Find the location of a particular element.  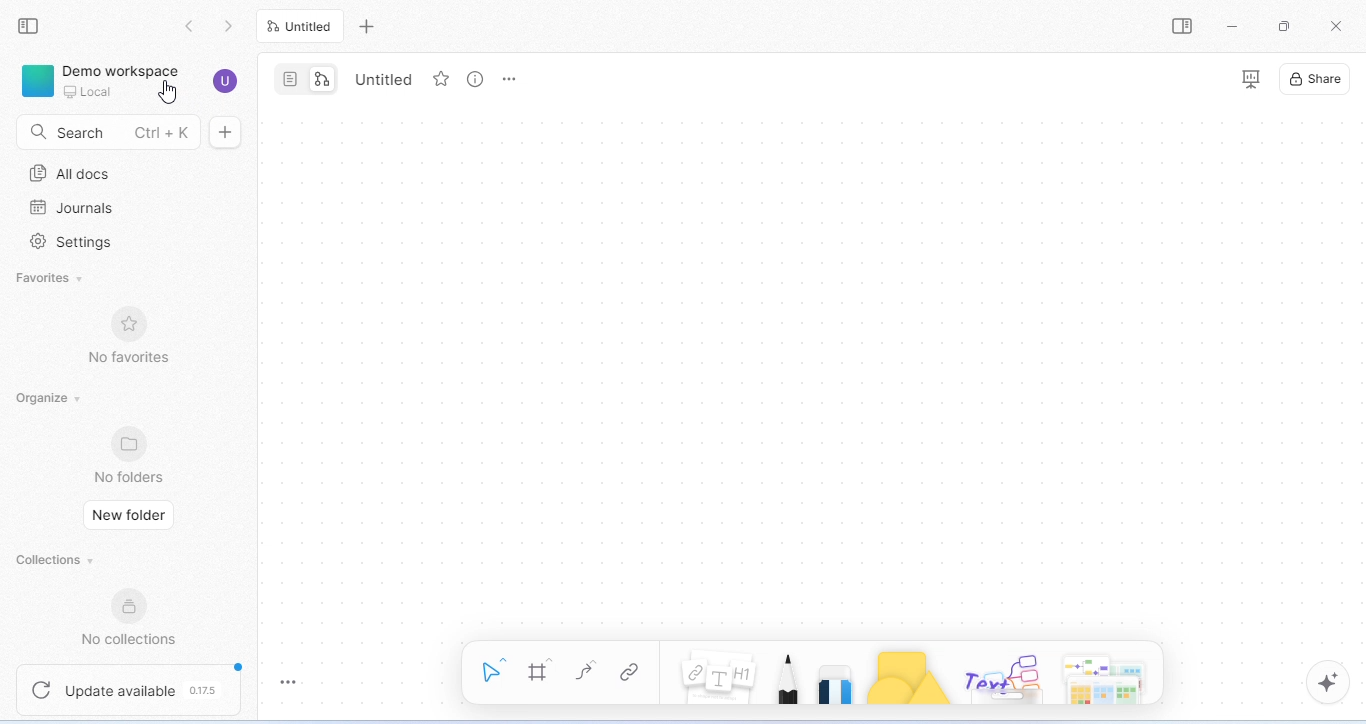

close is located at coordinates (1336, 26).